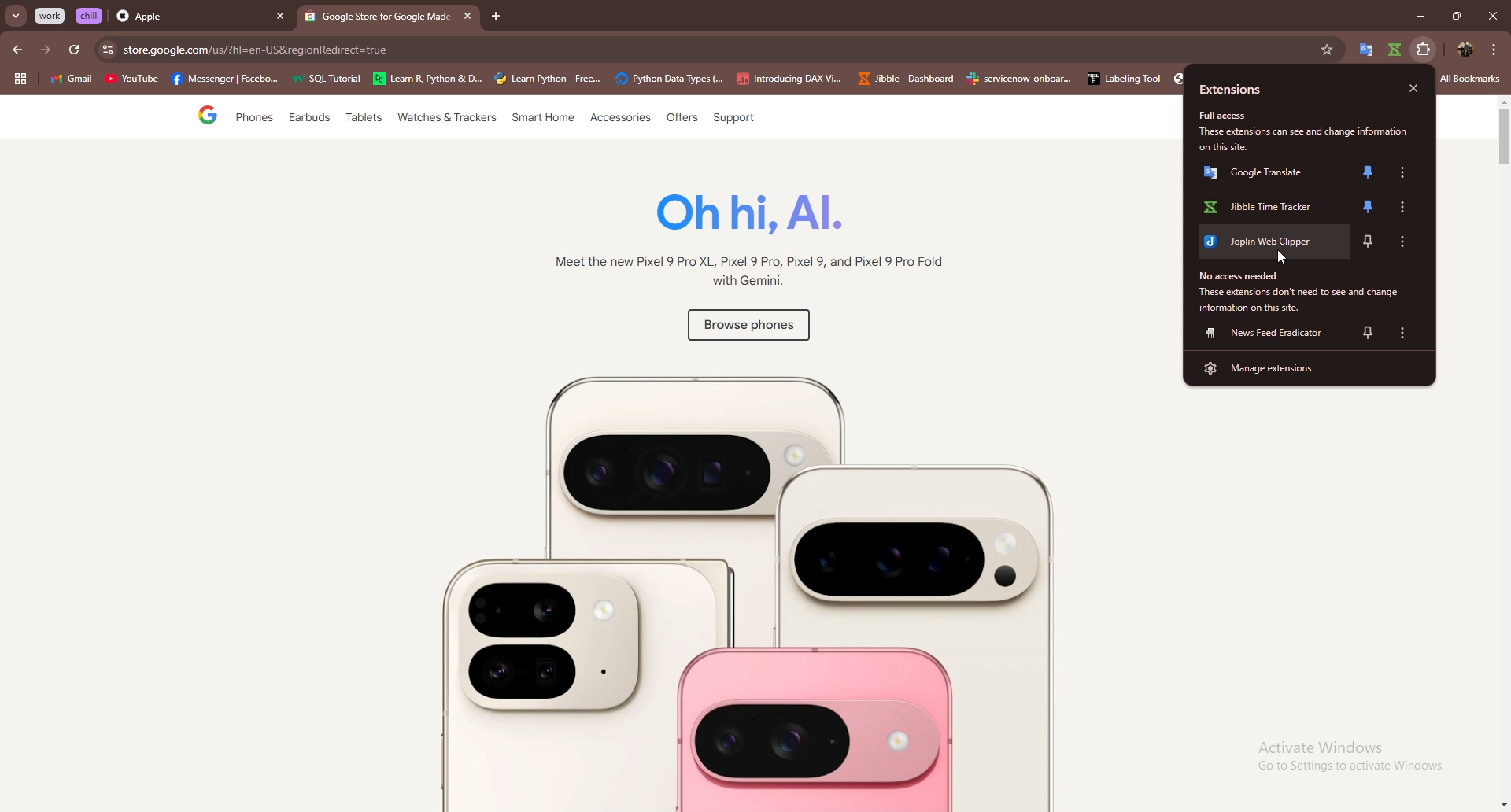 The image size is (1511, 812). What do you see at coordinates (1470, 79) in the screenshot?
I see `all bookmarks` at bounding box center [1470, 79].